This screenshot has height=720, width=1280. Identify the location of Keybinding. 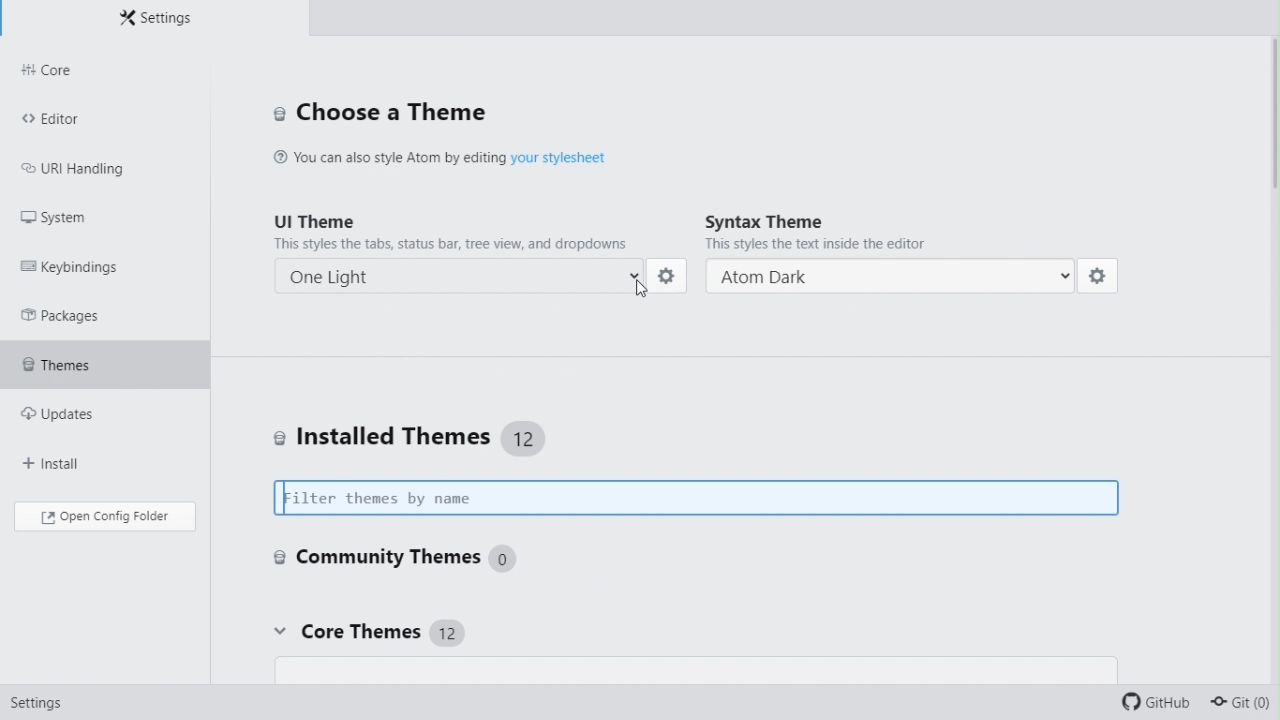
(79, 266).